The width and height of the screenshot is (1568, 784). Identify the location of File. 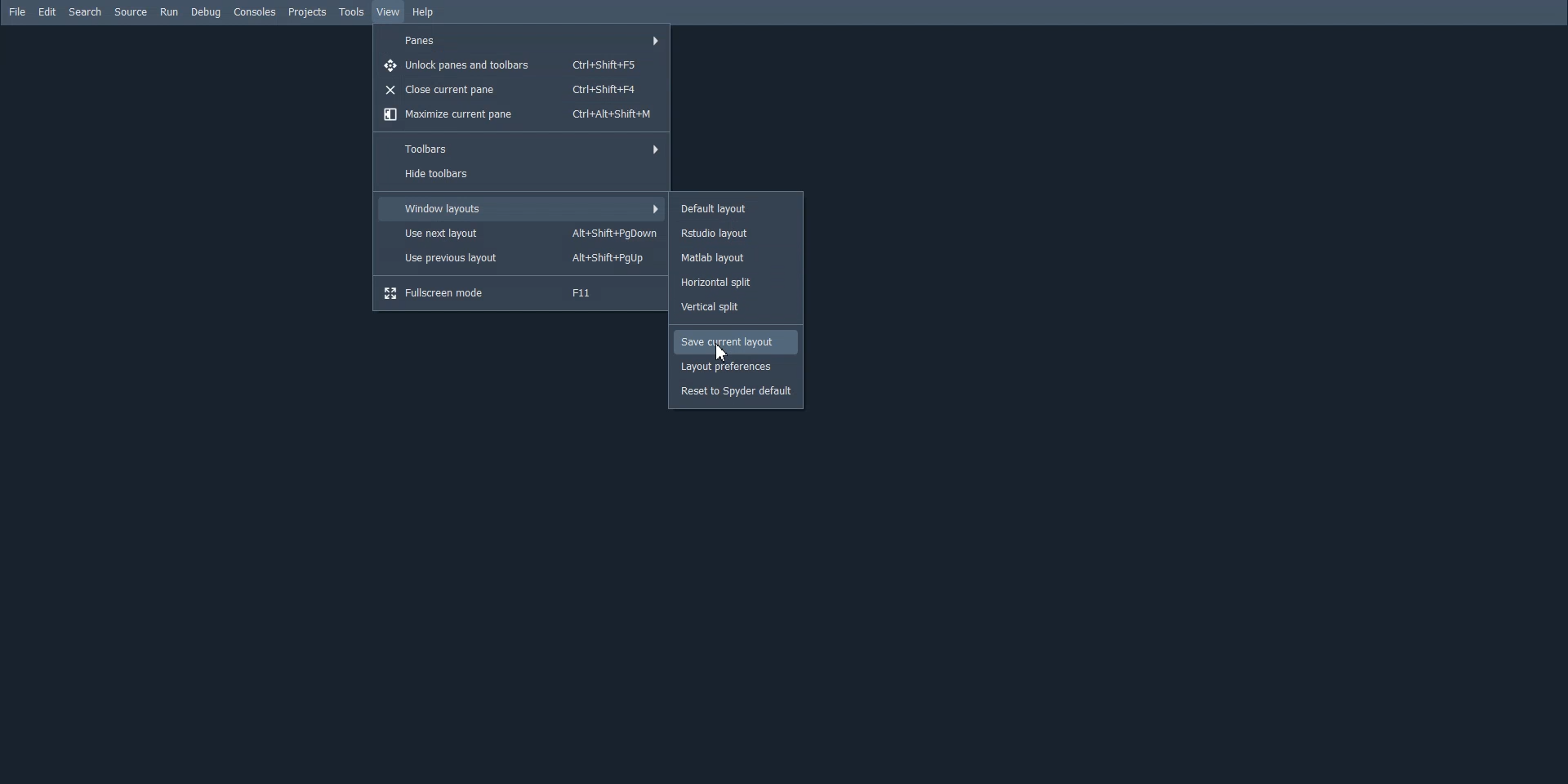
(16, 11).